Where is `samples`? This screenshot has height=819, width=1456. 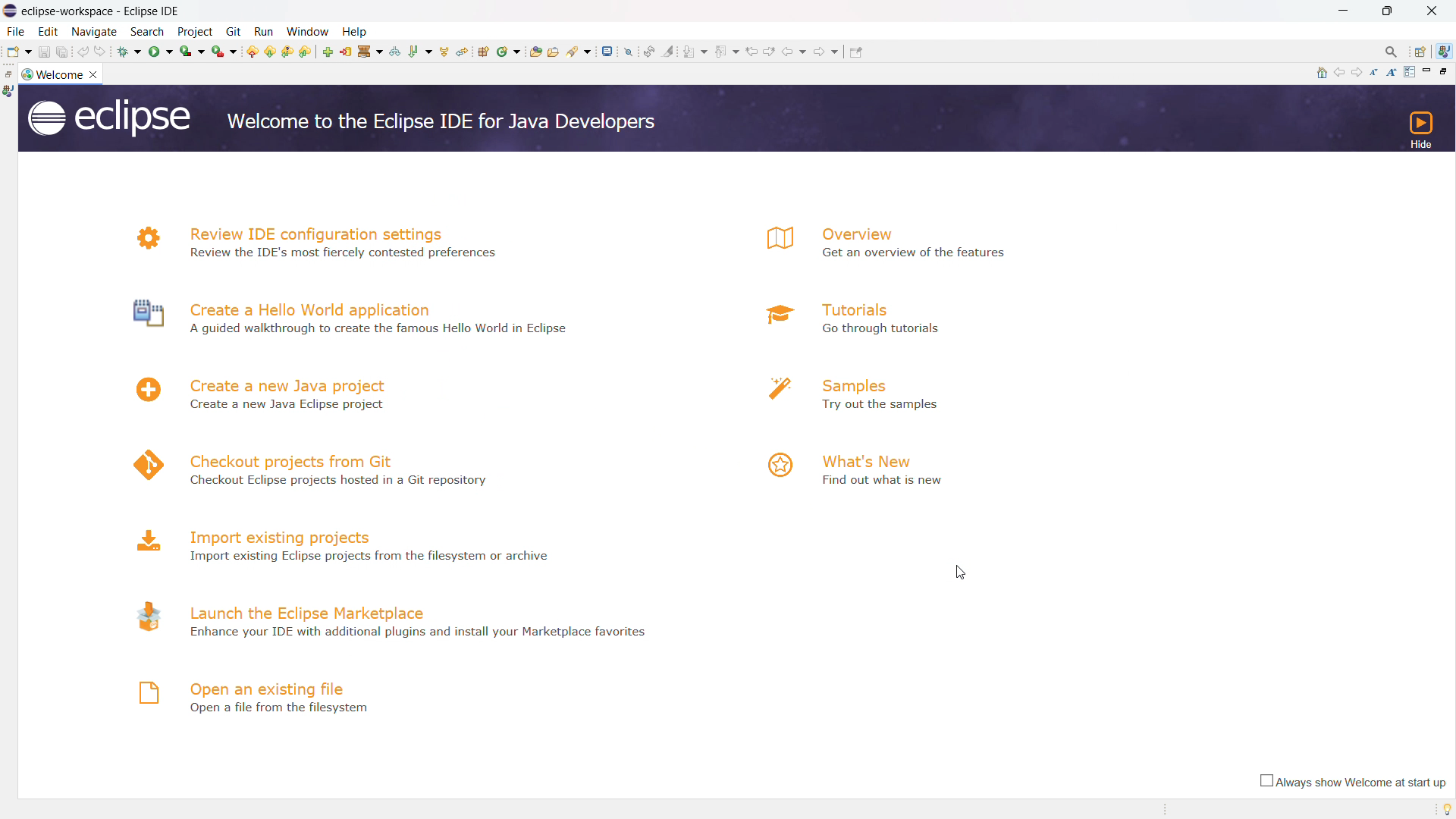
samples is located at coordinates (882, 382).